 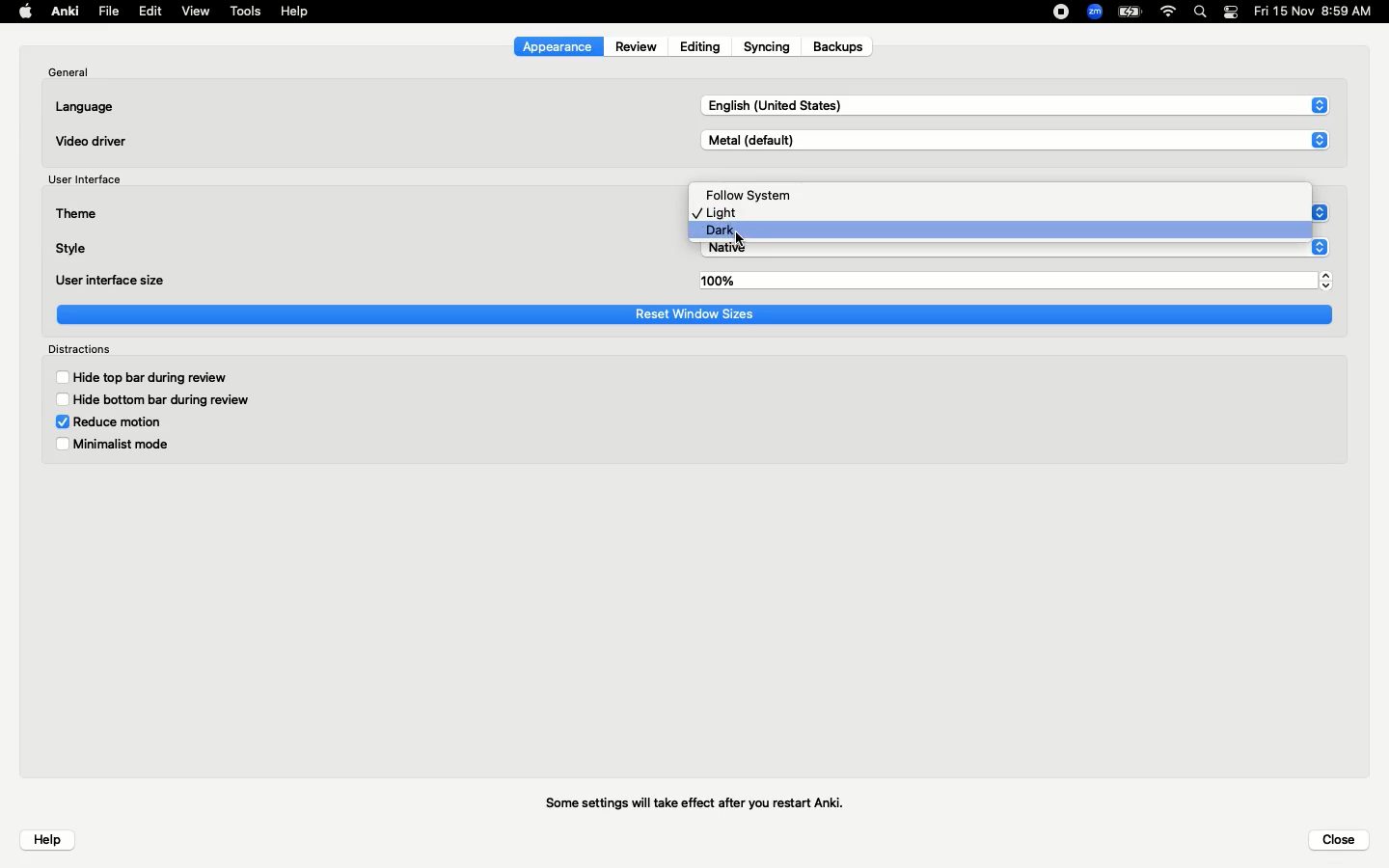 I want to click on English US, so click(x=1012, y=104).